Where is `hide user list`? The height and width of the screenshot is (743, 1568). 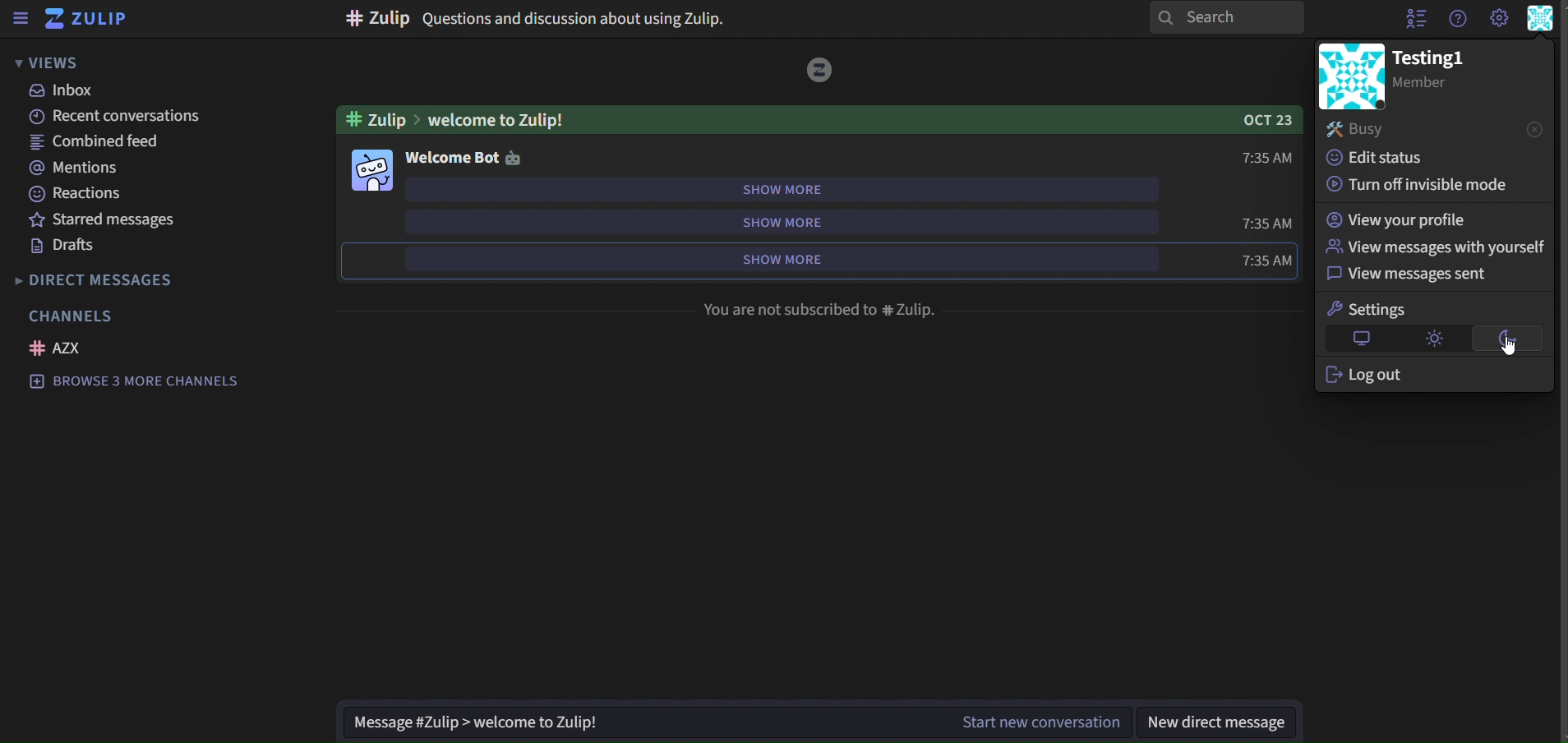 hide user list is located at coordinates (1412, 20).